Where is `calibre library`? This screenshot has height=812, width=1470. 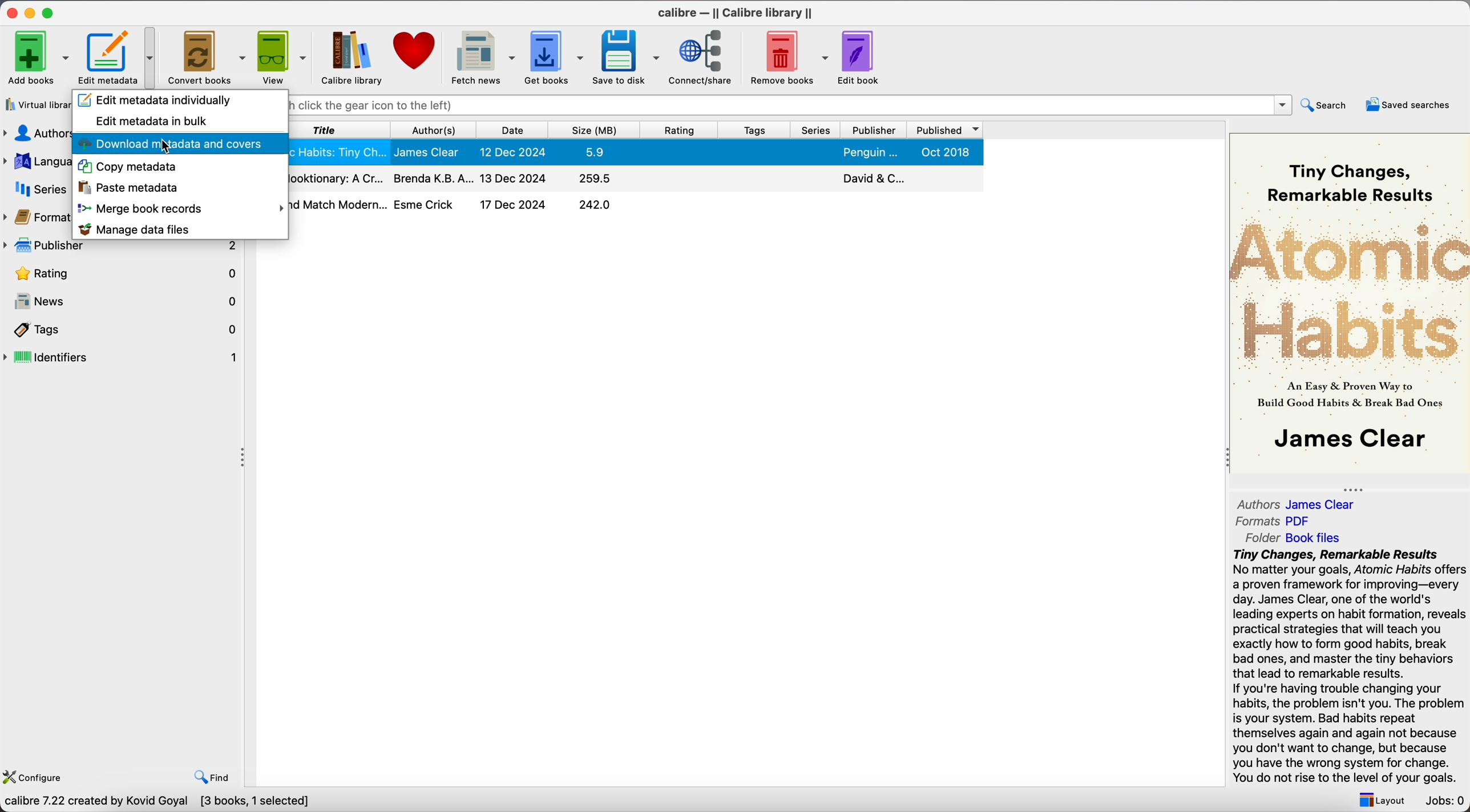
calibre library is located at coordinates (349, 57).